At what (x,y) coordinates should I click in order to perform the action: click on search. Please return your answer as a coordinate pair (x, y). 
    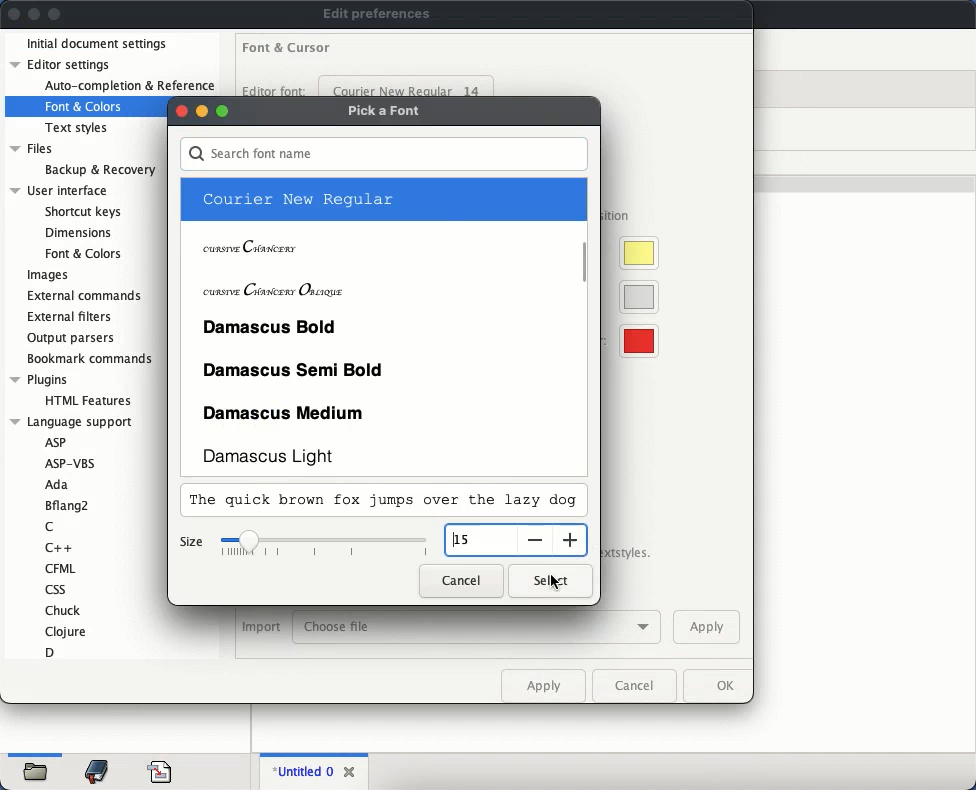
    Looking at the image, I should click on (384, 155).